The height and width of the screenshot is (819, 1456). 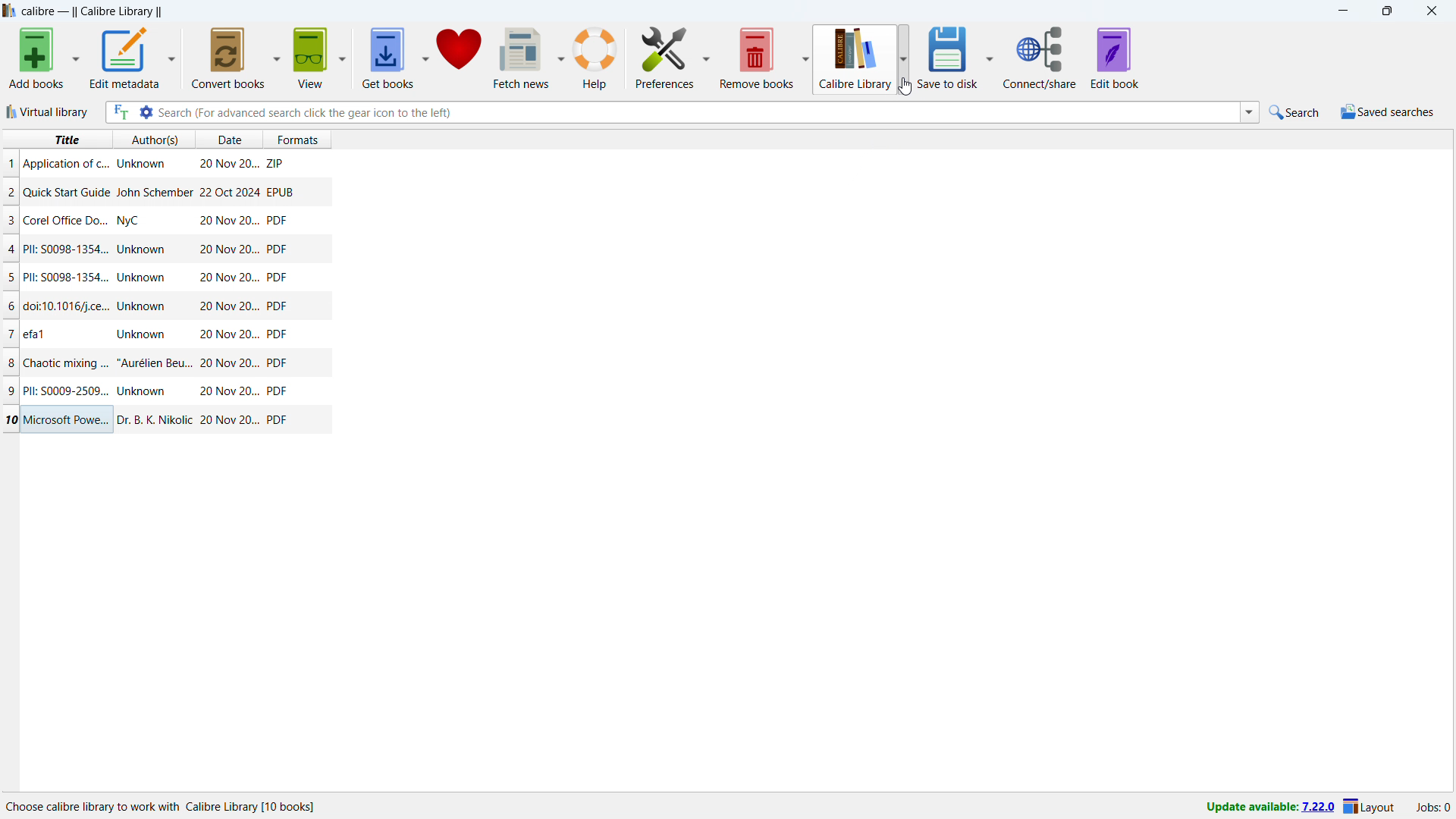 What do you see at coordinates (66, 249) in the screenshot?
I see `Title` at bounding box center [66, 249].